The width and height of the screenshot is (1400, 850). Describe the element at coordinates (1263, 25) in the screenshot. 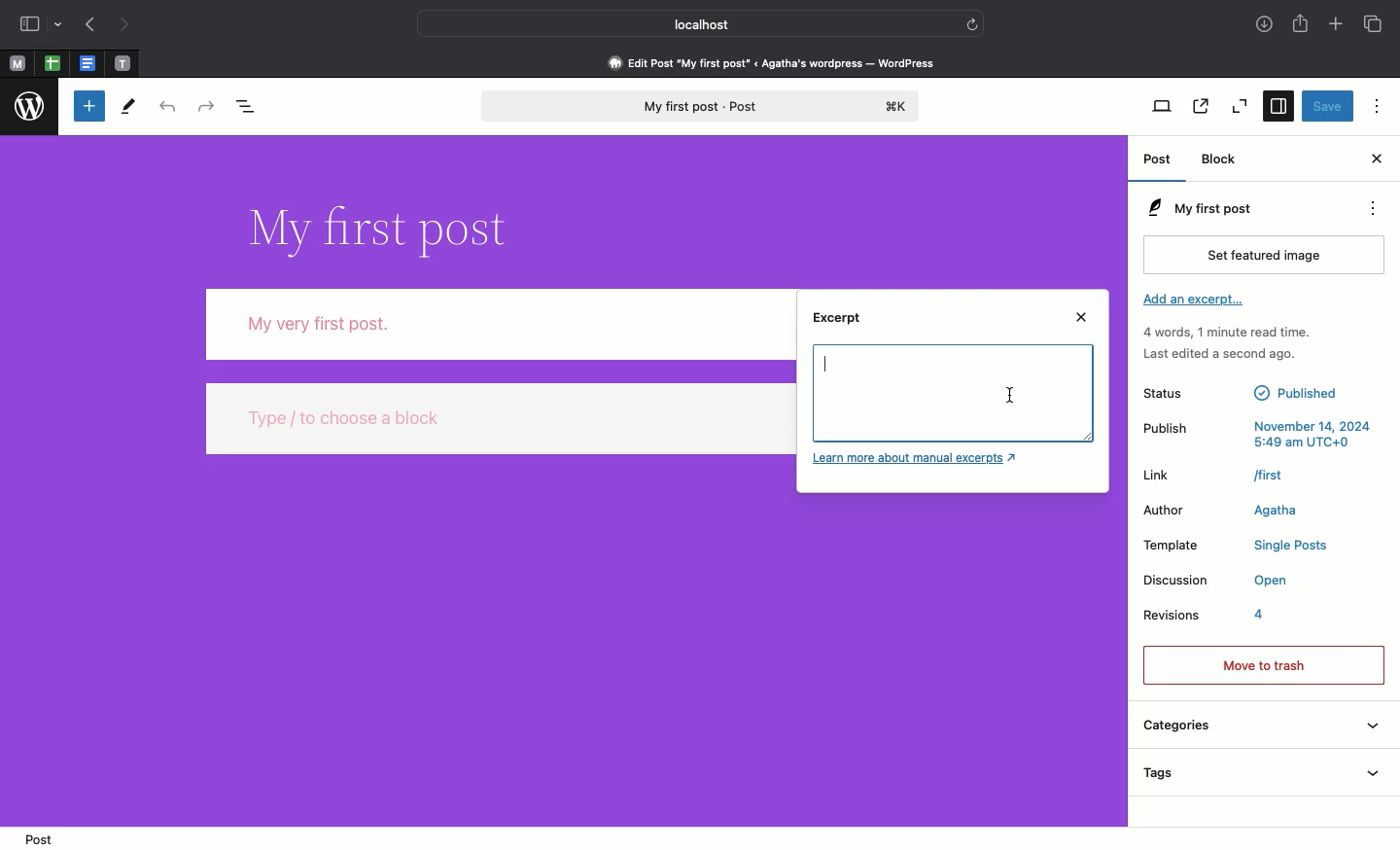

I see `Downloads` at that location.